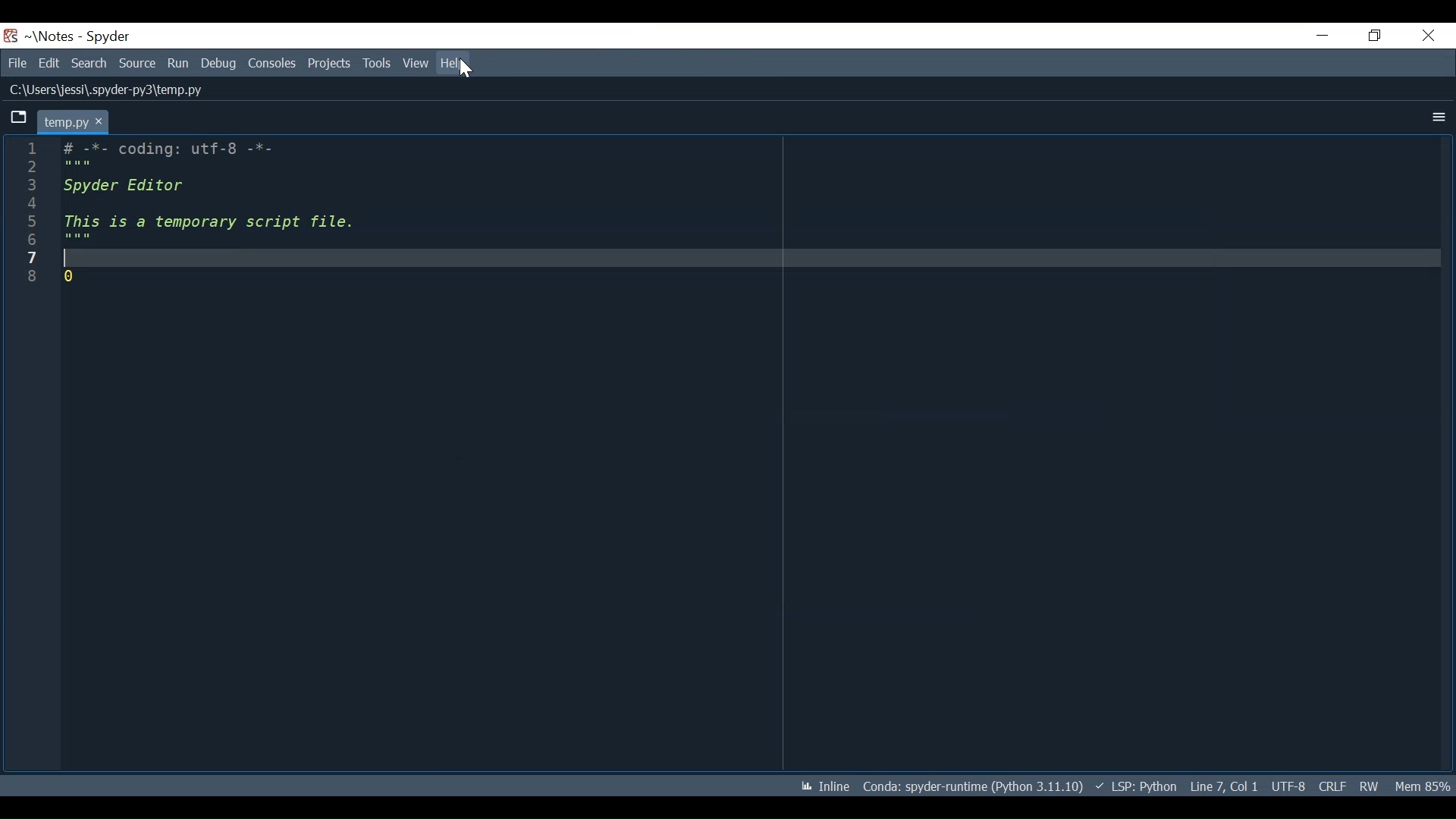 Image resolution: width=1456 pixels, height=819 pixels. Describe the element at coordinates (274, 63) in the screenshot. I see `Consoles` at that location.